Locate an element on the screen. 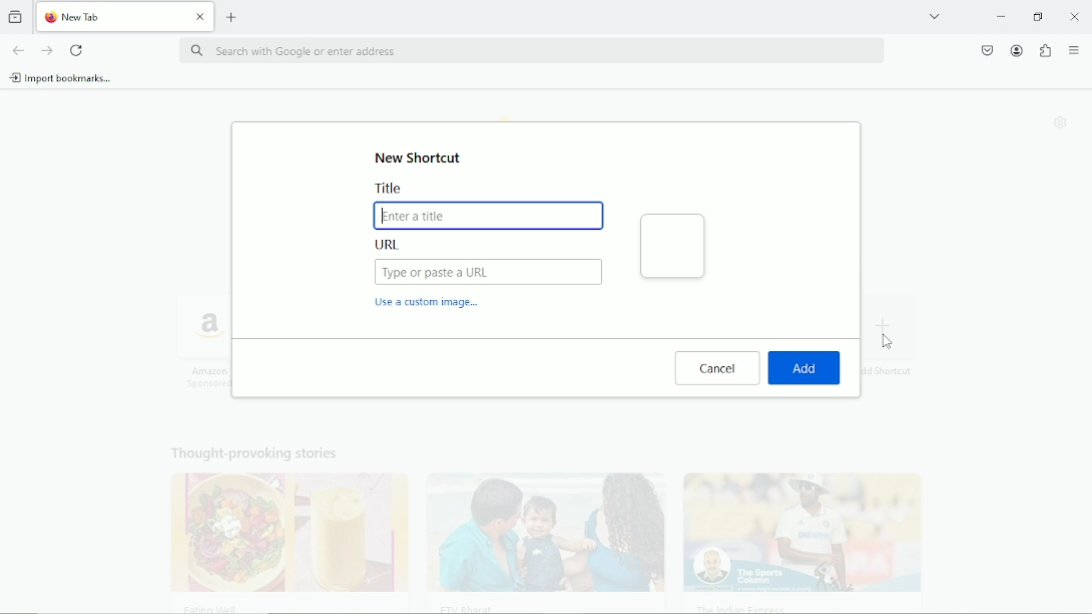 The width and height of the screenshot is (1092, 614). cancel is located at coordinates (717, 368).